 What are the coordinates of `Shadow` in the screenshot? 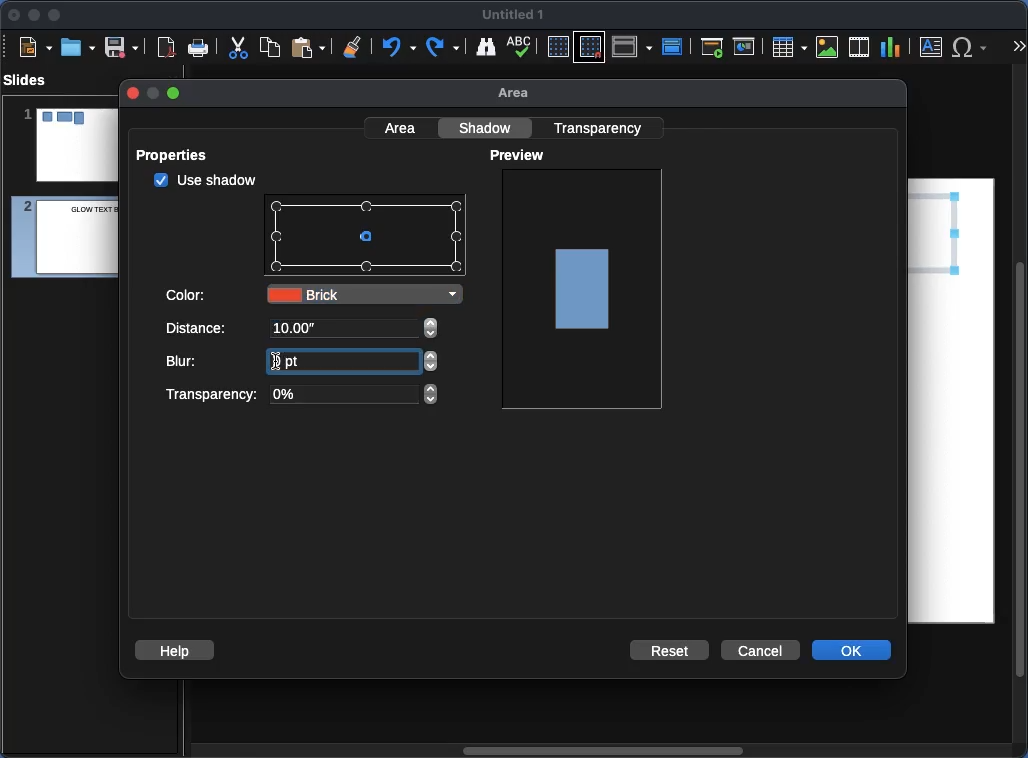 It's located at (488, 127).